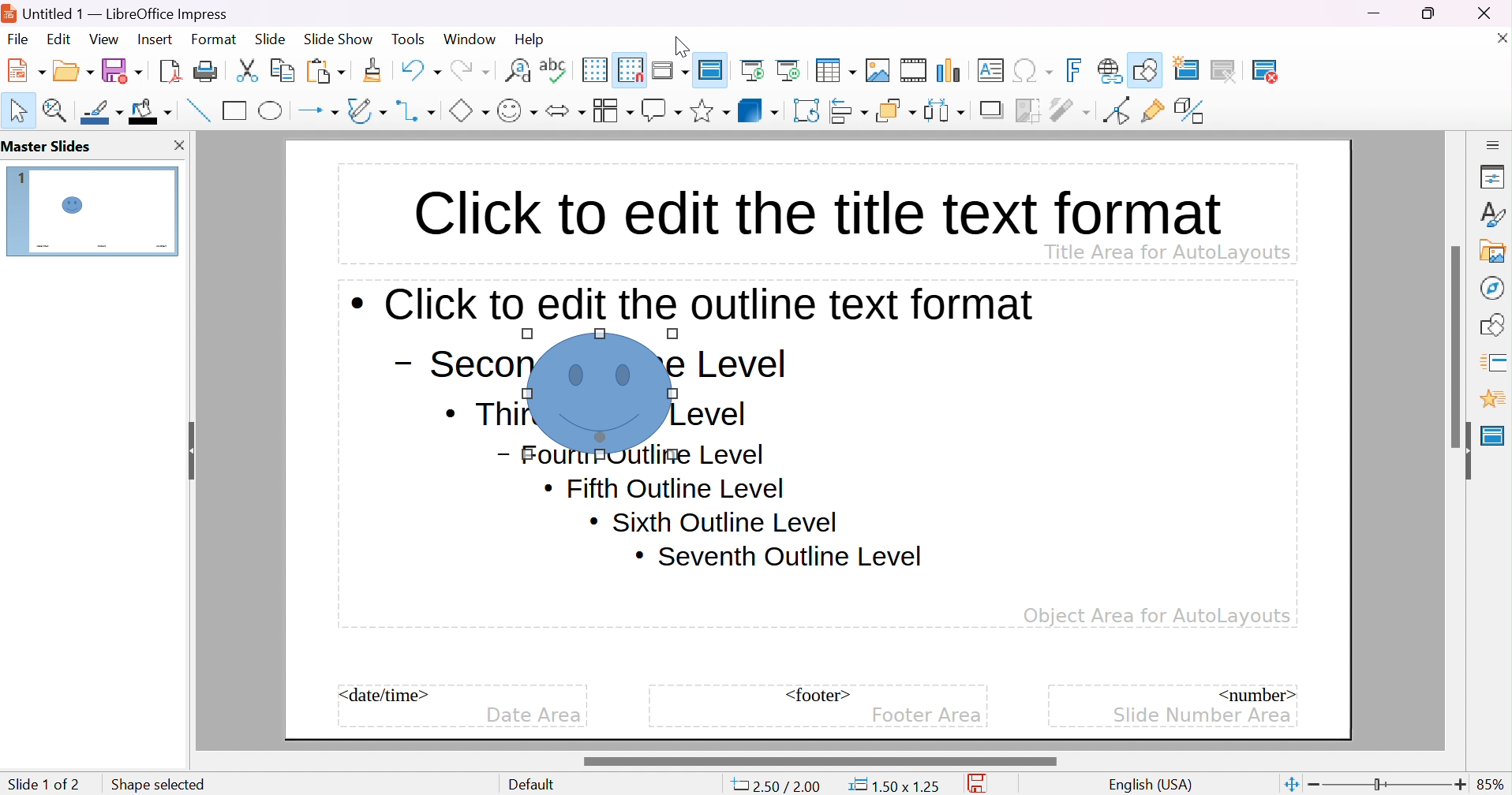 The height and width of the screenshot is (795, 1512). I want to click on zoom in/out, so click(1387, 785).